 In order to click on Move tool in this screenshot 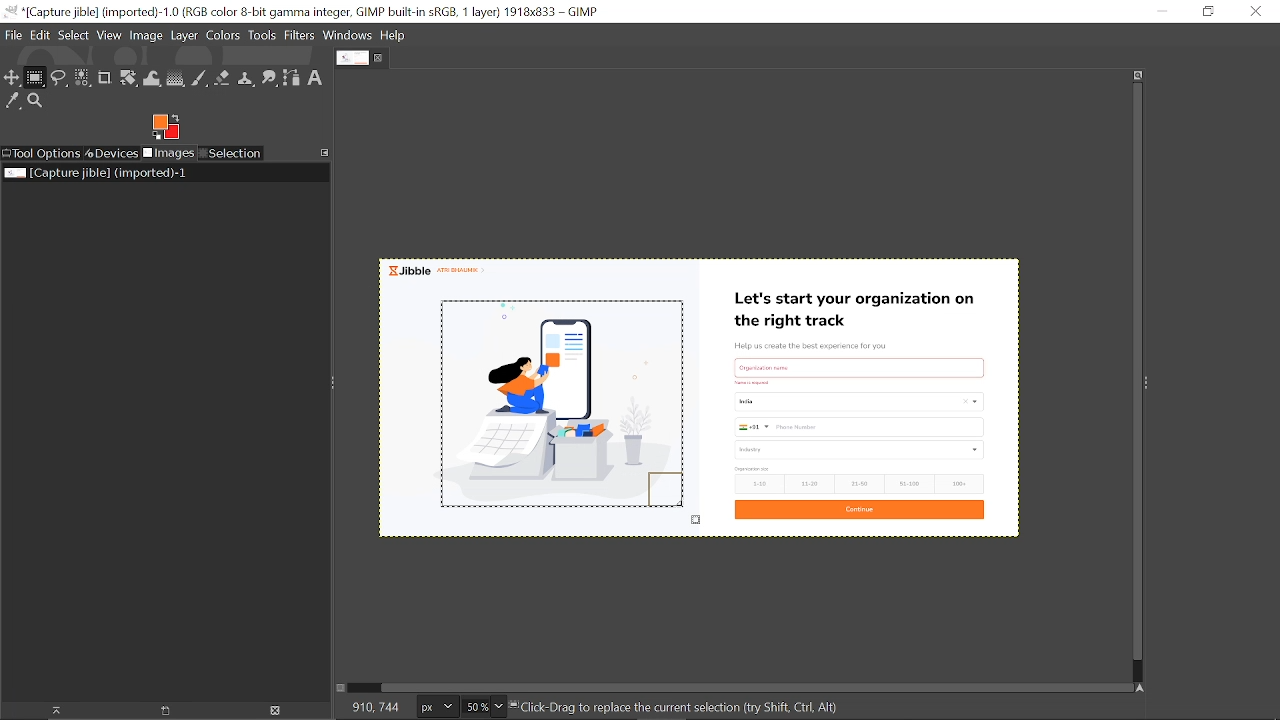, I will do `click(13, 79)`.